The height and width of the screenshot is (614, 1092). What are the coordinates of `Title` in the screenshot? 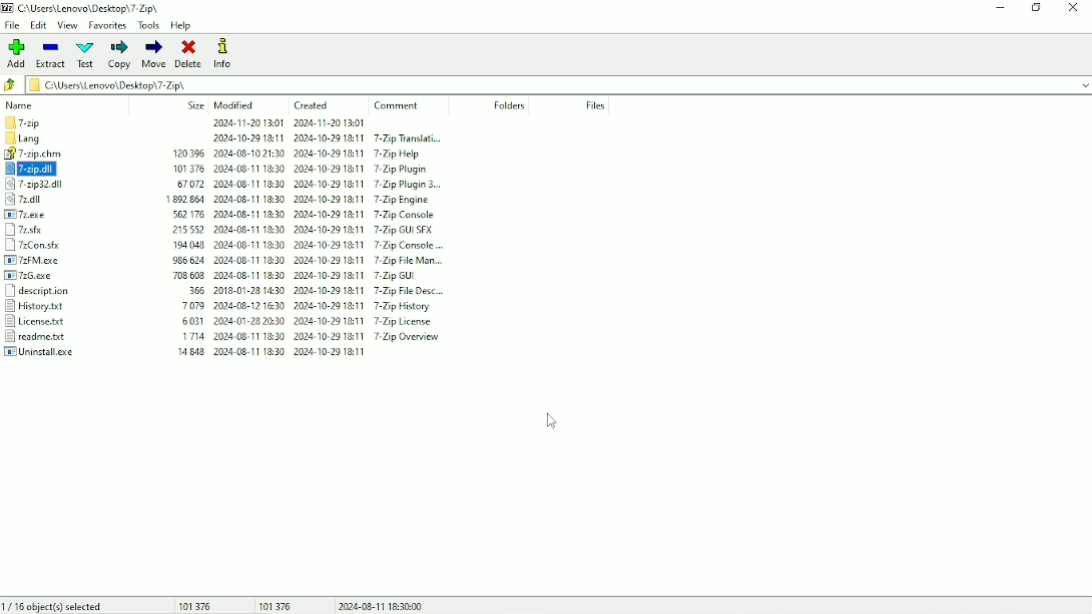 It's located at (85, 8).